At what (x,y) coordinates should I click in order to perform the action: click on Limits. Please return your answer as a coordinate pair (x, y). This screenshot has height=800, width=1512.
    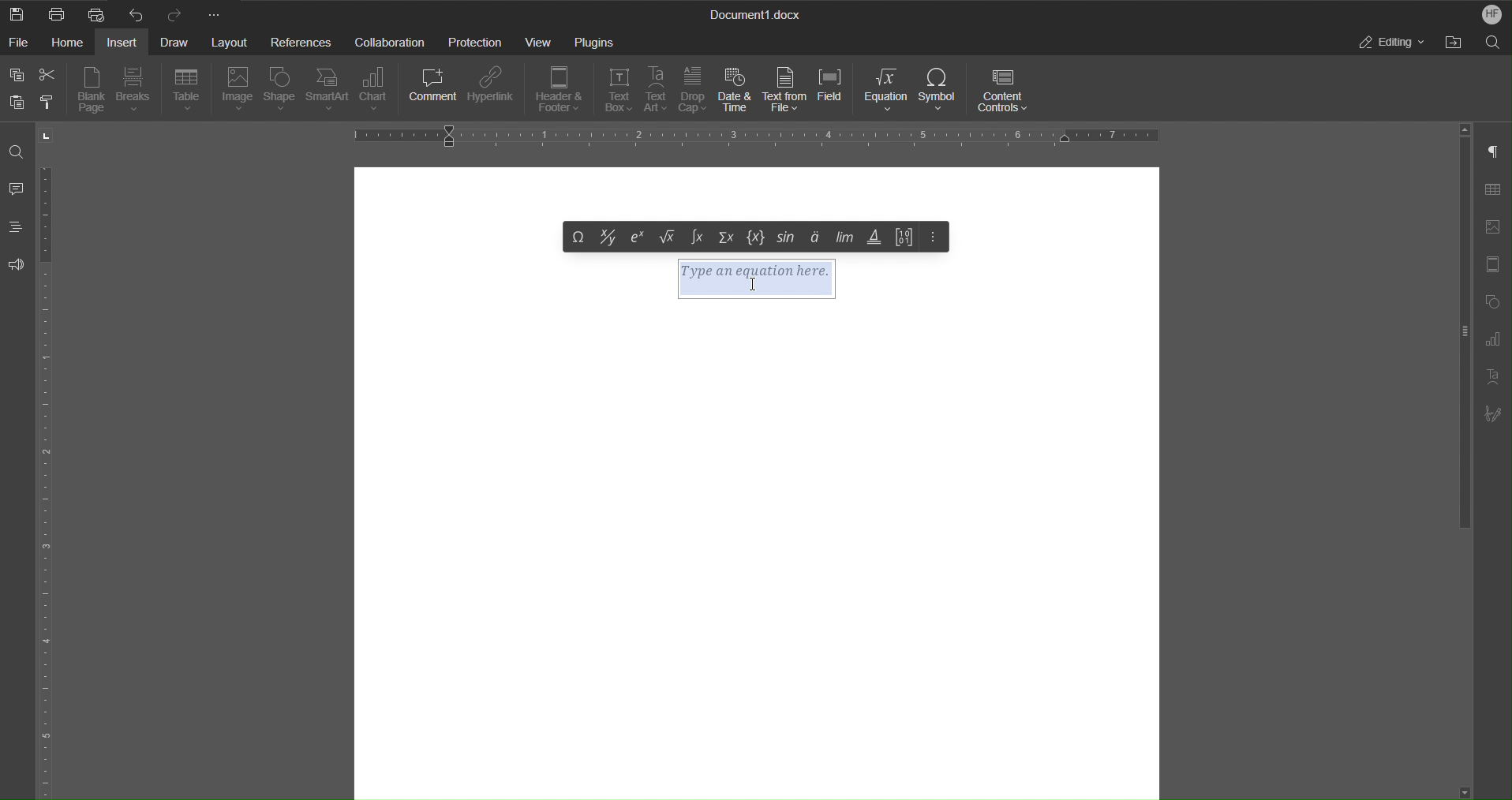
    Looking at the image, I should click on (844, 237).